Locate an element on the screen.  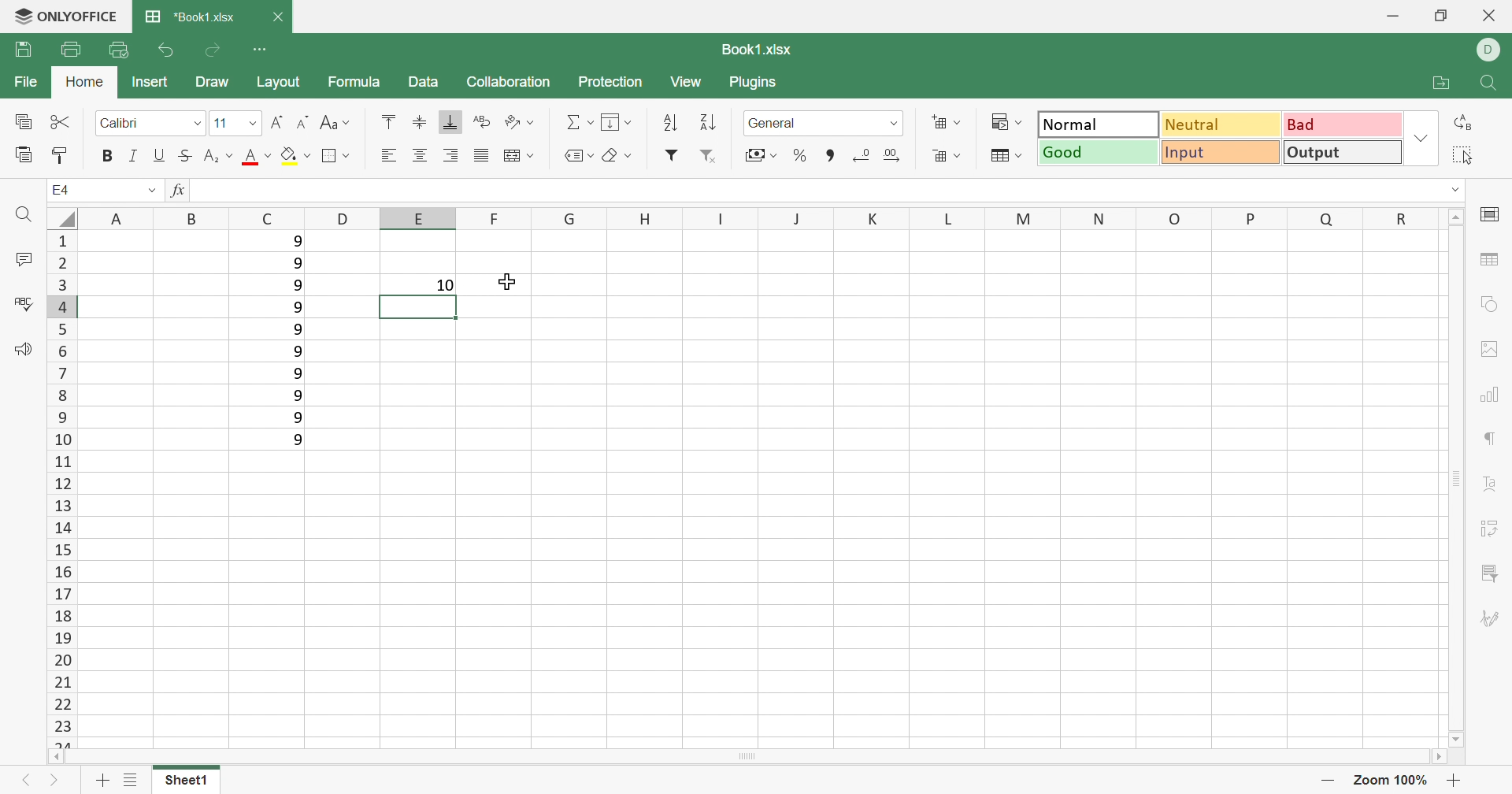
Cut is located at coordinates (61, 118).